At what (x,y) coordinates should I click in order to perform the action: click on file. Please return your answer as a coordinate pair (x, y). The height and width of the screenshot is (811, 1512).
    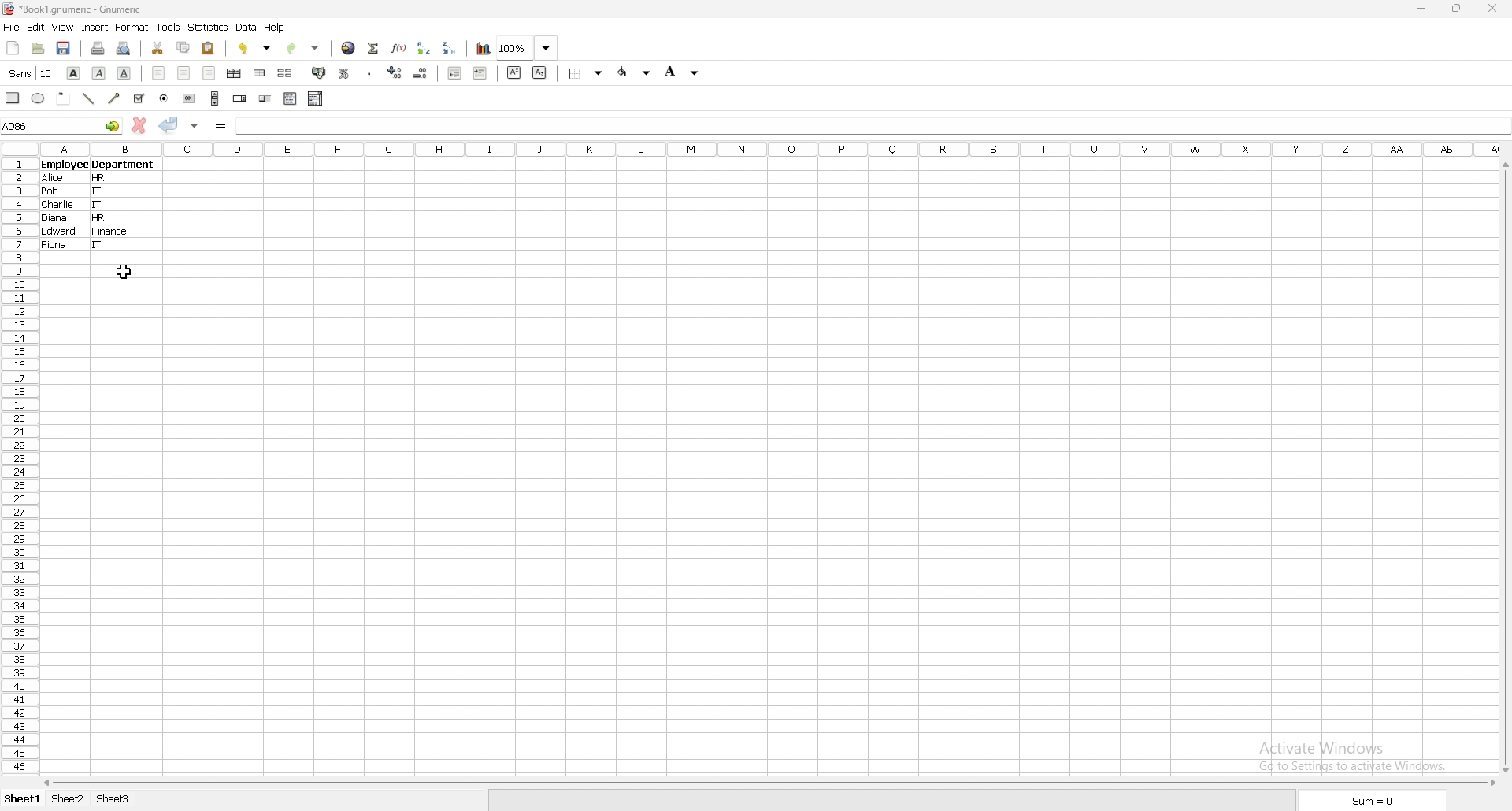
    Looking at the image, I should click on (12, 27).